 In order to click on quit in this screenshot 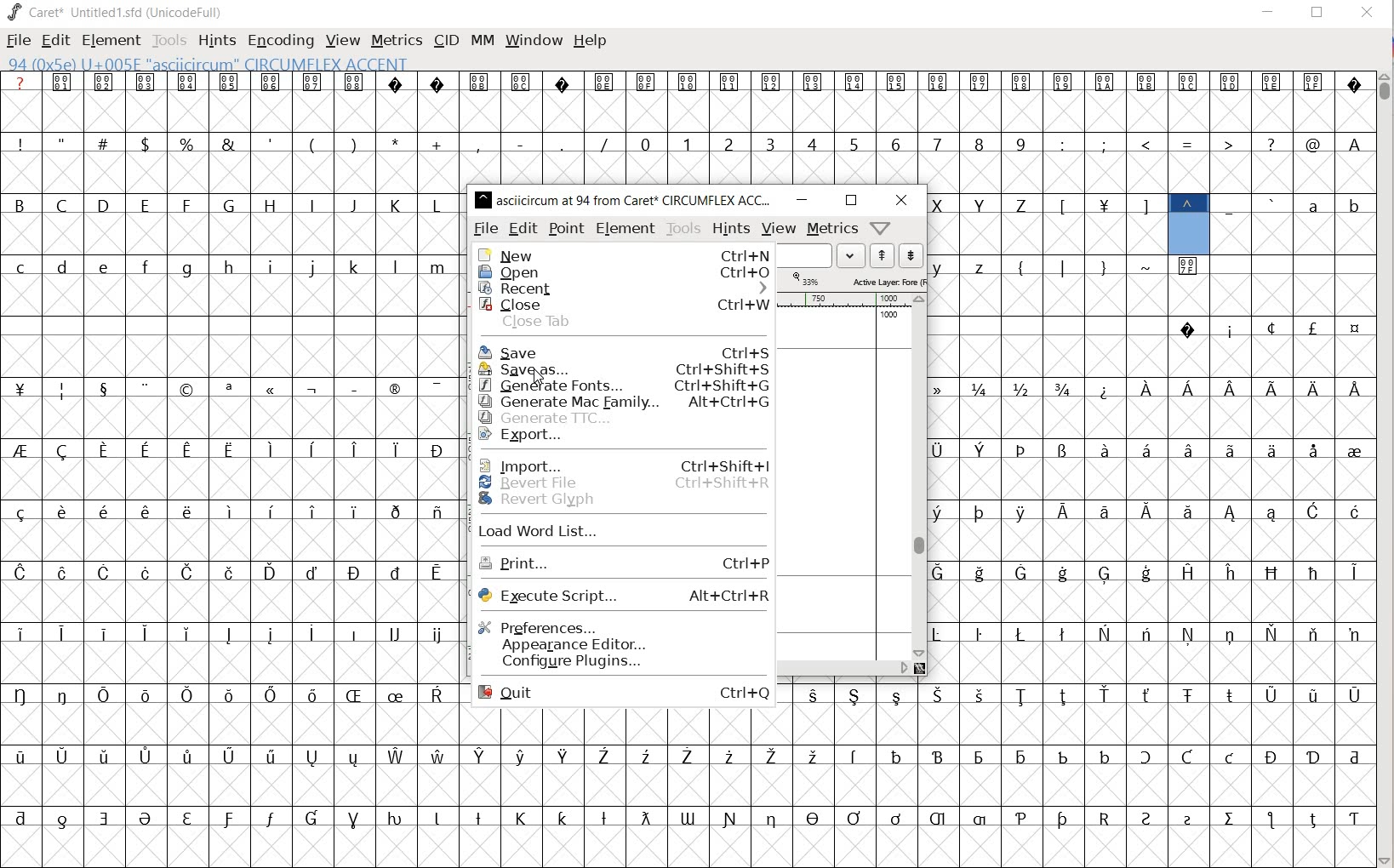, I will do `click(621, 694)`.